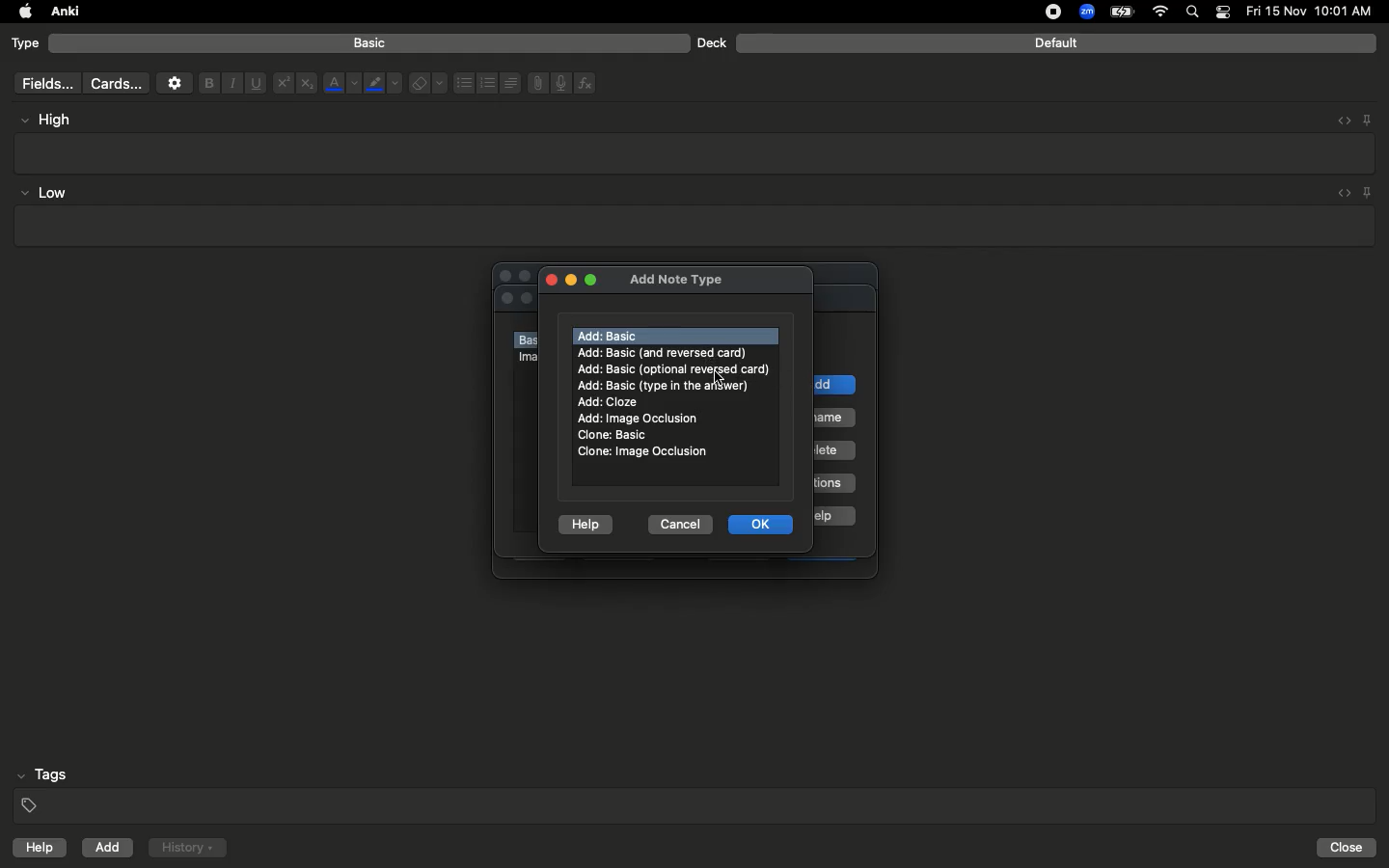  I want to click on Eraser, so click(427, 84).